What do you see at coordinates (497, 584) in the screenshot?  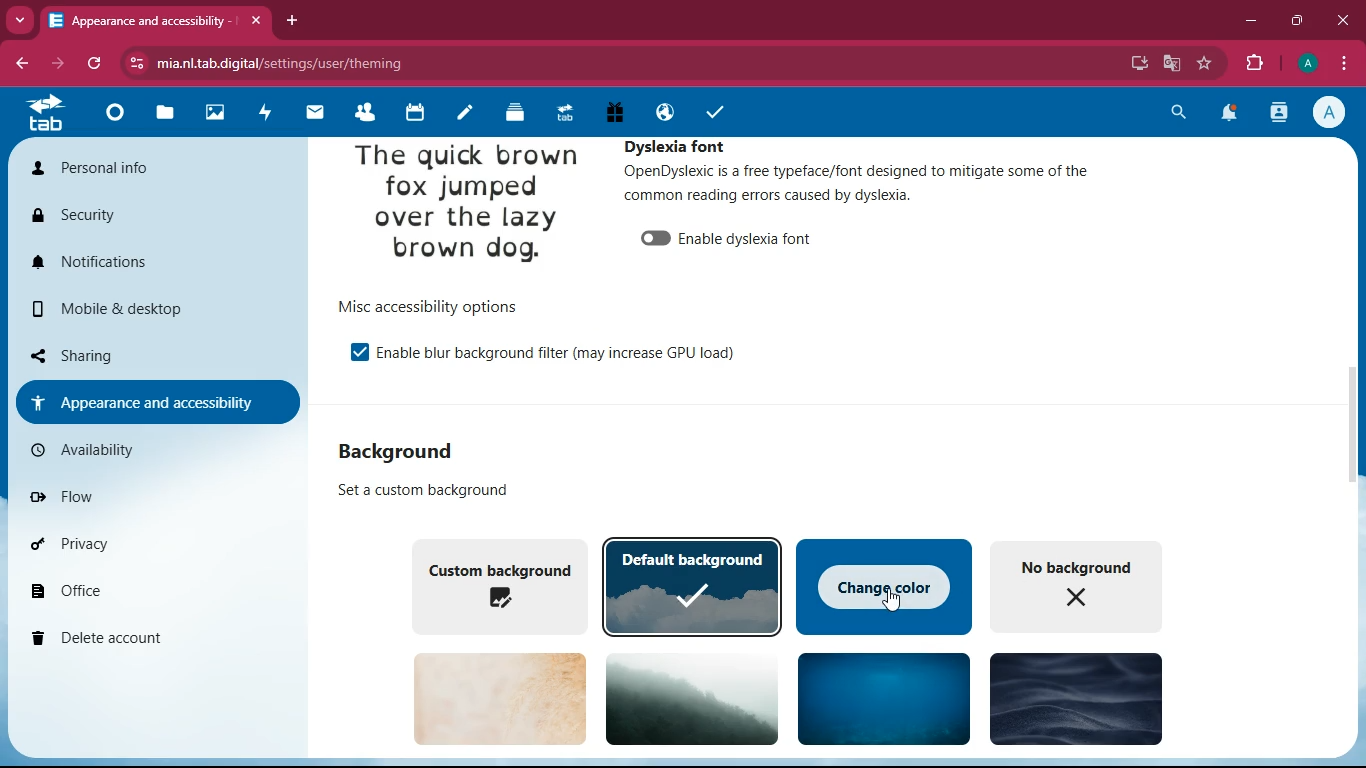 I see `custom background` at bounding box center [497, 584].